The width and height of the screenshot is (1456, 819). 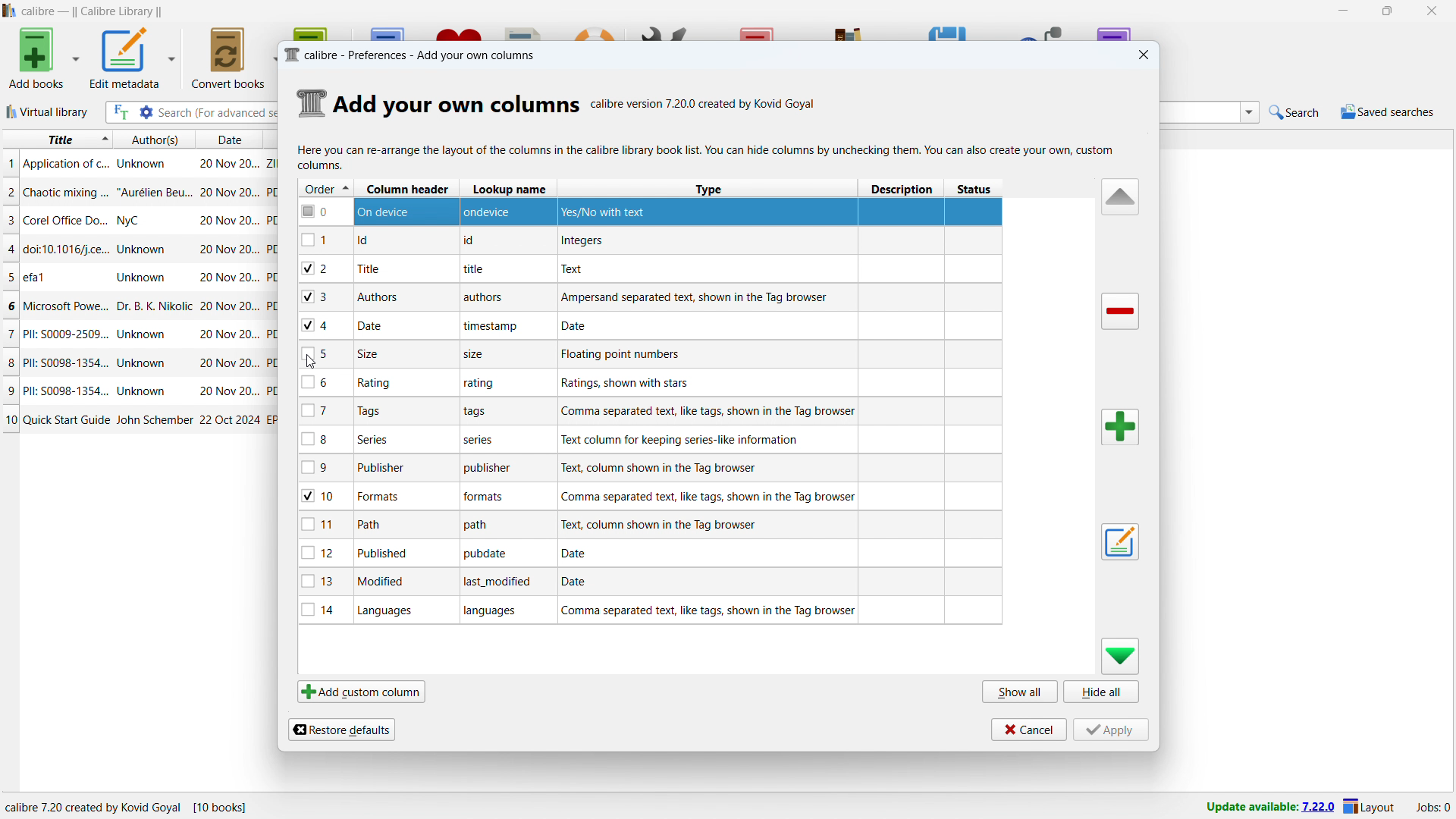 What do you see at coordinates (10, 420) in the screenshot?
I see `10` at bounding box center [10, 420].